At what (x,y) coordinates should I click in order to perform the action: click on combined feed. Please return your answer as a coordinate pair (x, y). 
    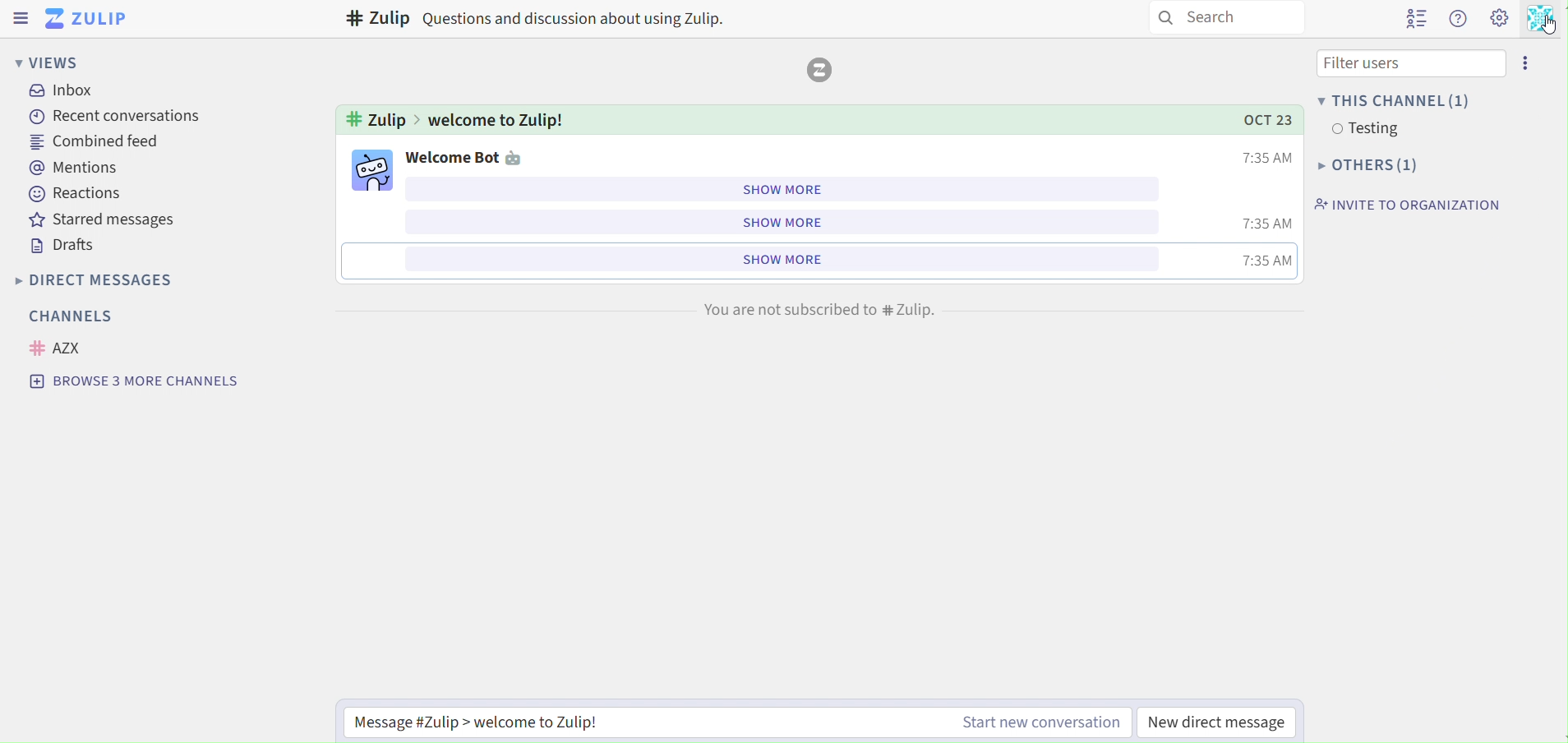
    Looking at the image, I should click on (97, 142).